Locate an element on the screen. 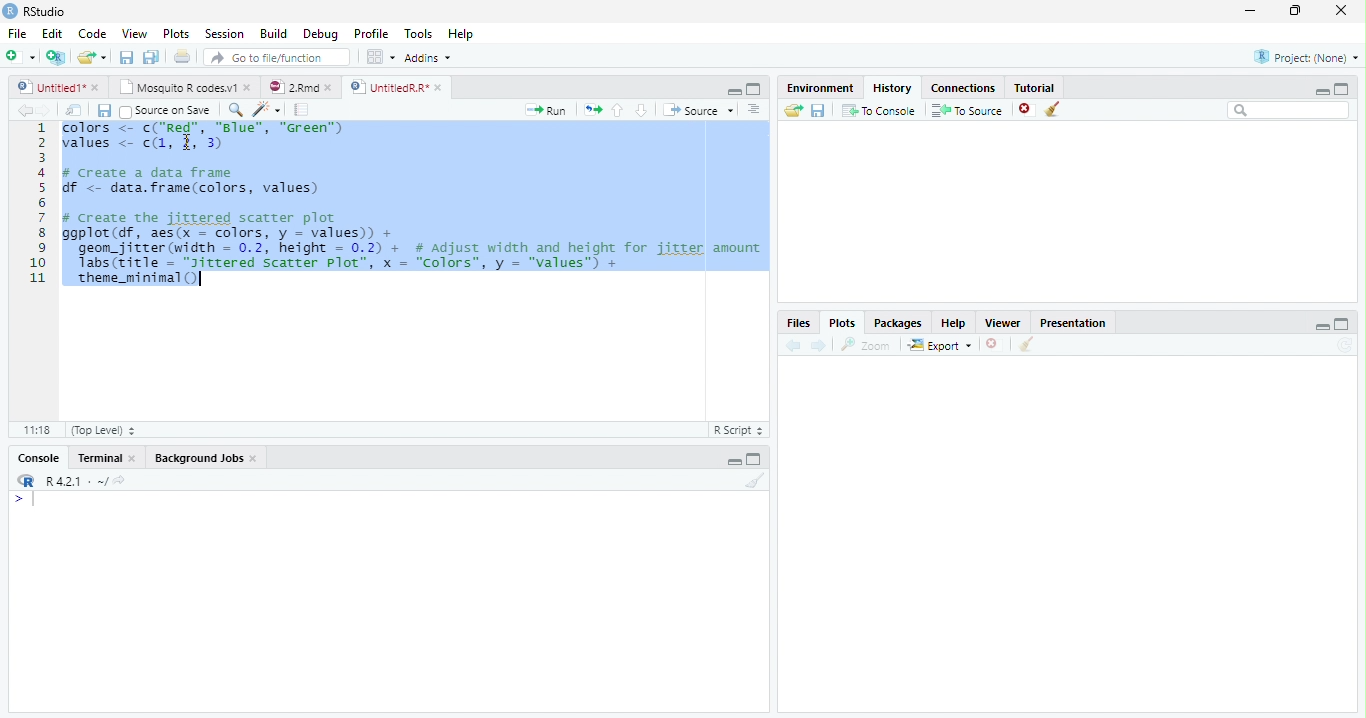 This screenshot has height=718, width=1366. Print the current file is located at coordinates (183, 56).